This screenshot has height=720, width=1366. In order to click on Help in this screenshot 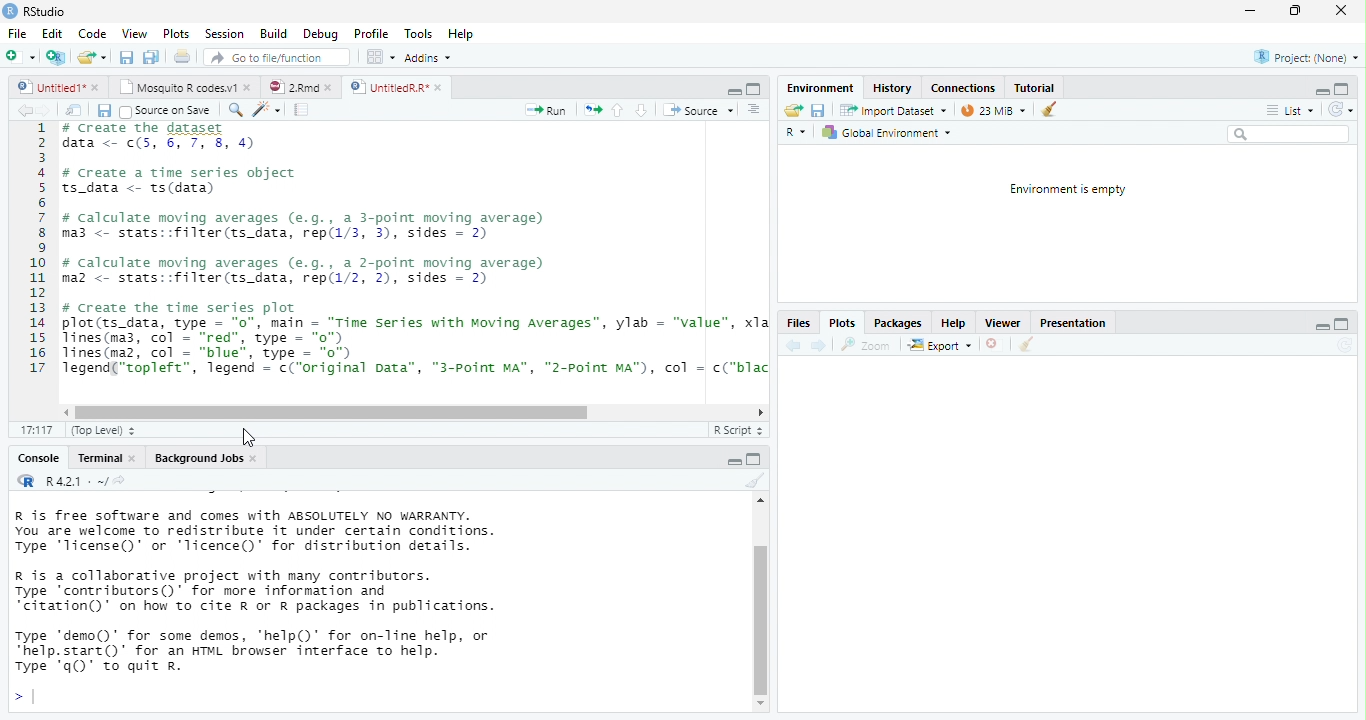, I will do `click(951, 323)`.